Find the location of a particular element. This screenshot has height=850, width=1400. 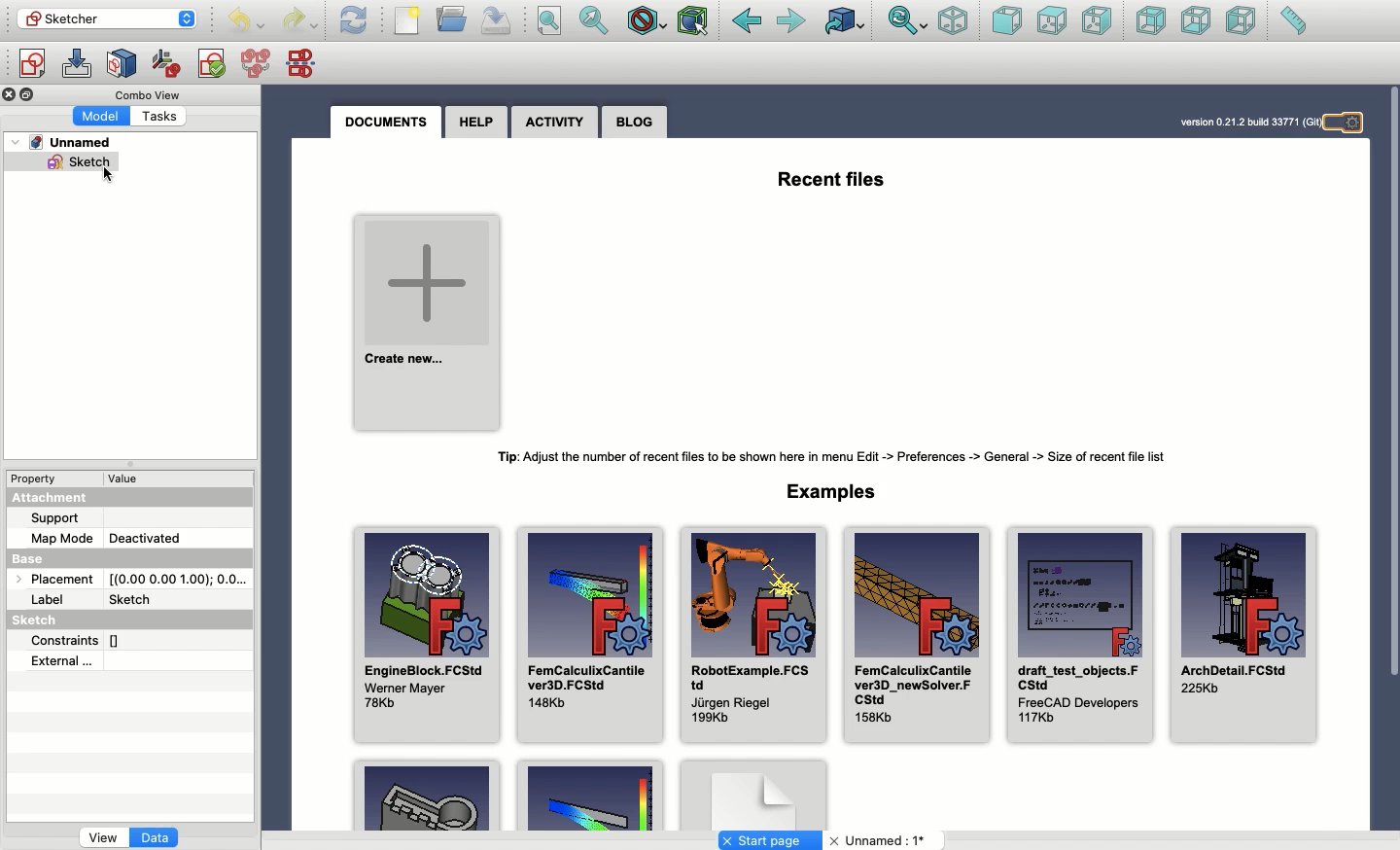

Left is located at coordinates (1242, 20).